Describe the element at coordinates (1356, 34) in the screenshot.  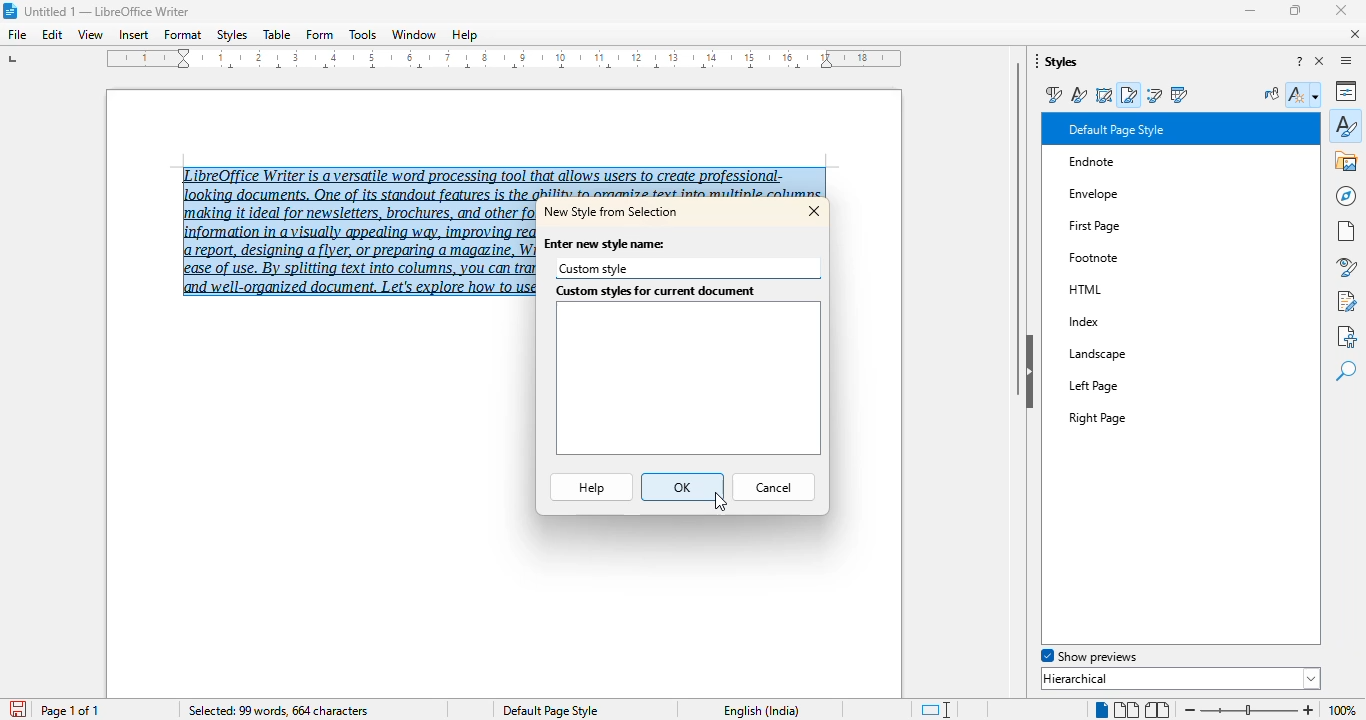
I see `close document` at that location.